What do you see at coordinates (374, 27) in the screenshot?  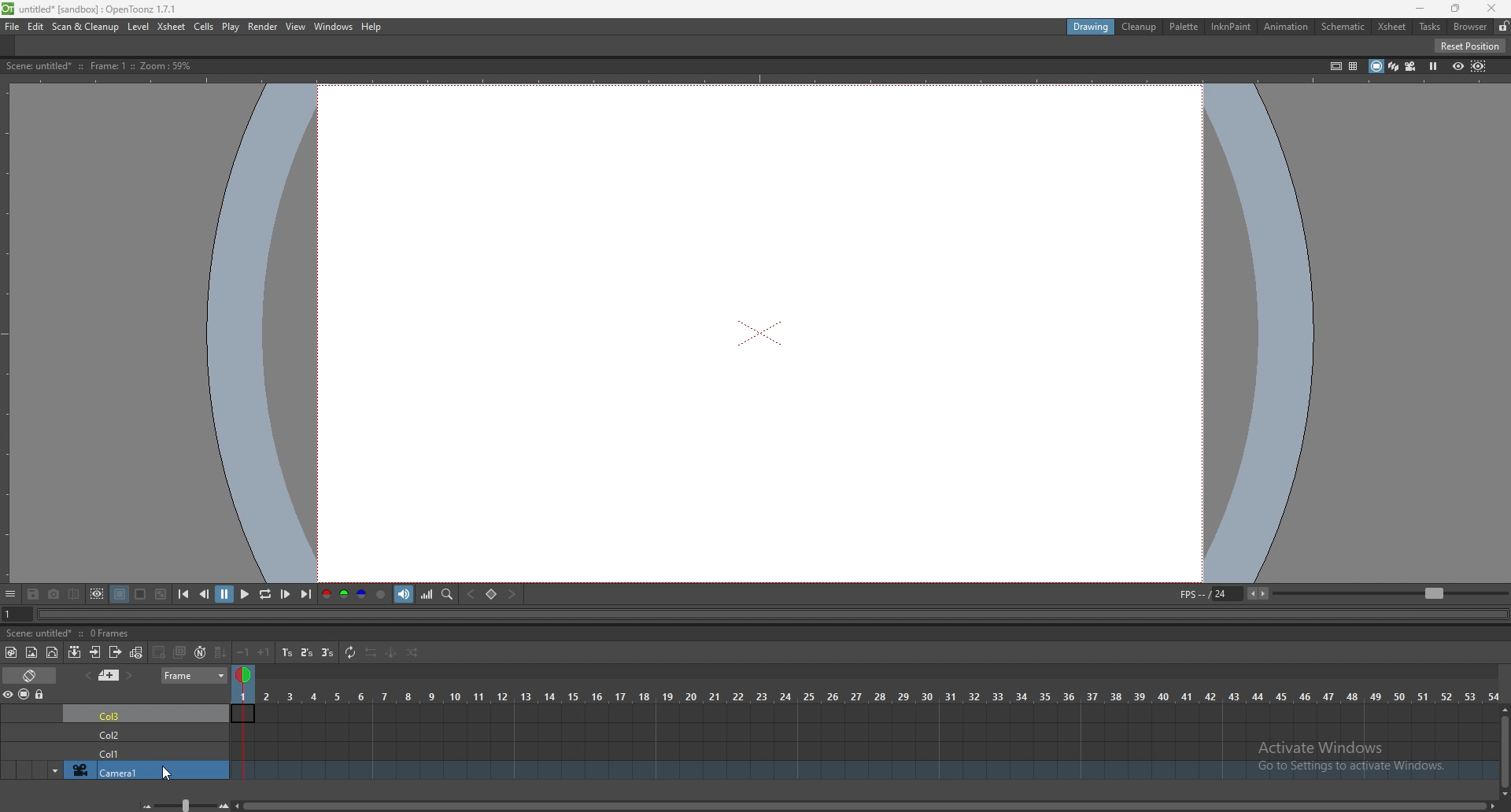 I see `help` at bounding box center [374, 27].